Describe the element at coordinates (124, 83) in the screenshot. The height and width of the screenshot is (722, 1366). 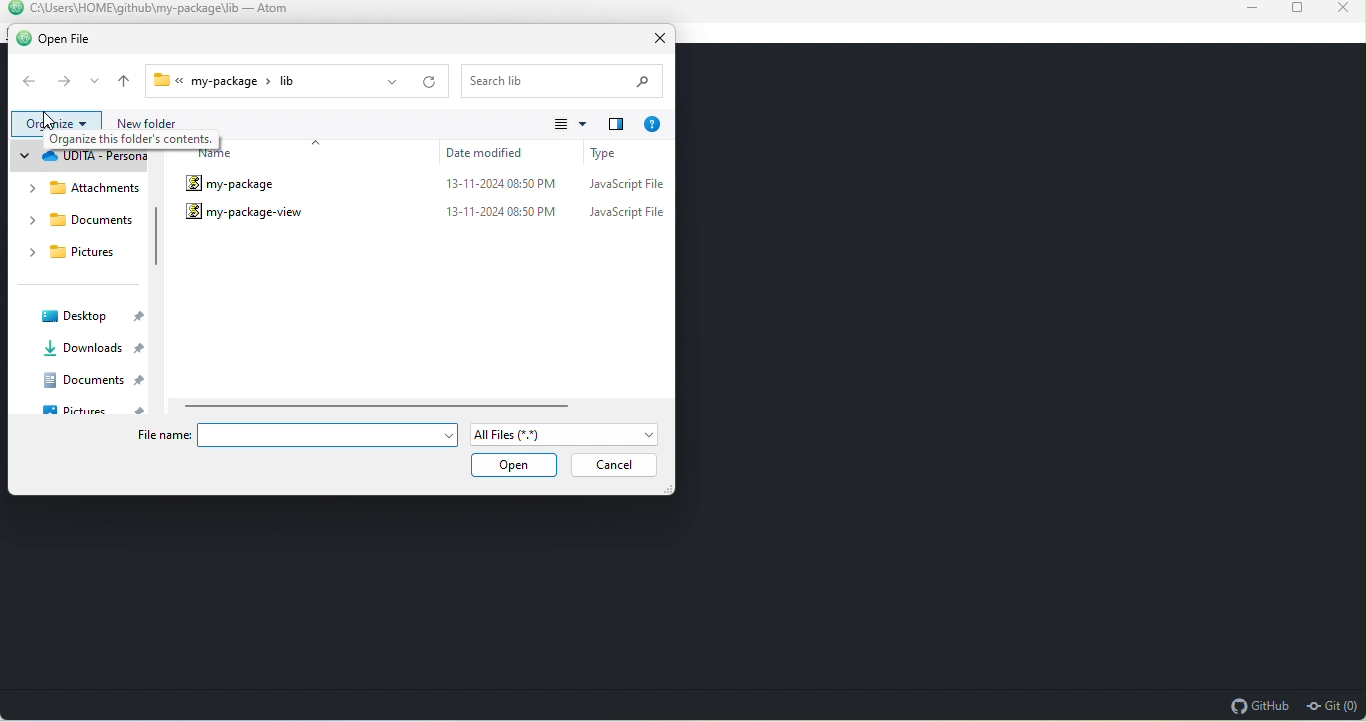
I see `up to previous` at that location.